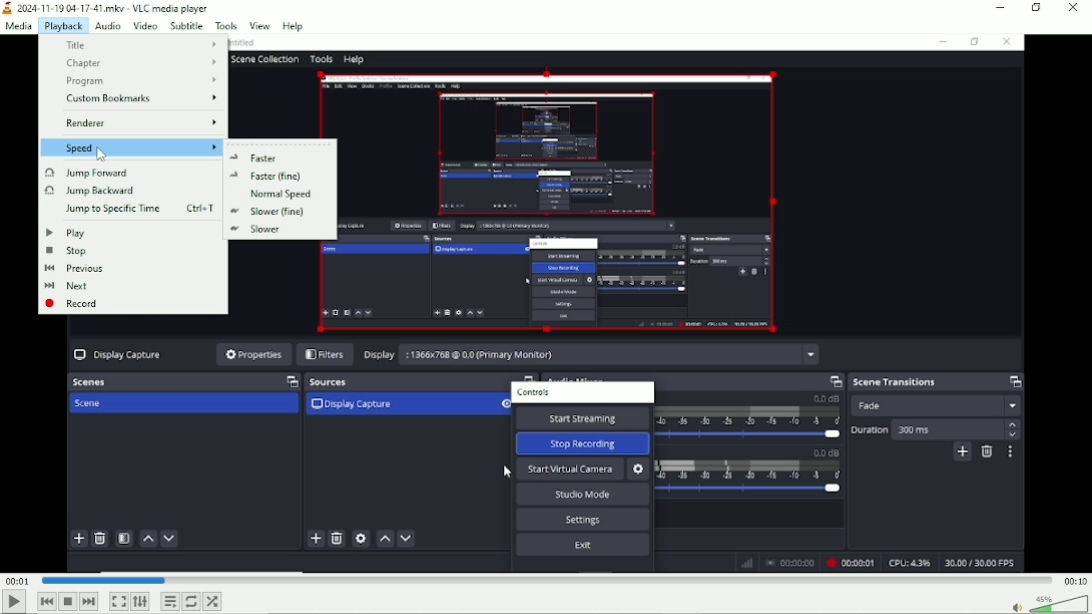 The width and height of the screenshot is (1092, 614). What do you see at coordinates (144, 25) in the screenshot?
I see `video` at bounding box center [144, 25].